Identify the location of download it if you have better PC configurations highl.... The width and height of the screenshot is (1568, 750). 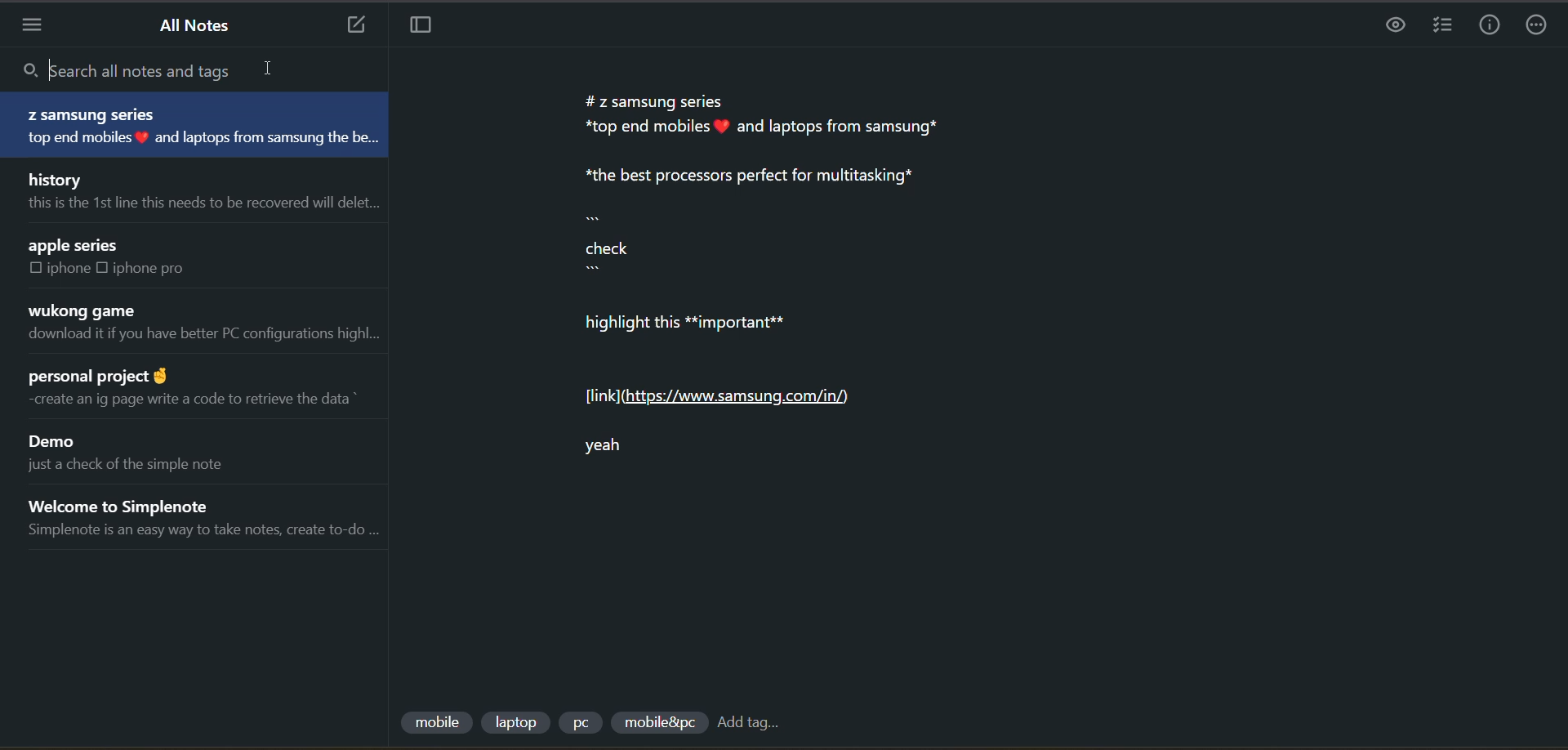
(207, 335).